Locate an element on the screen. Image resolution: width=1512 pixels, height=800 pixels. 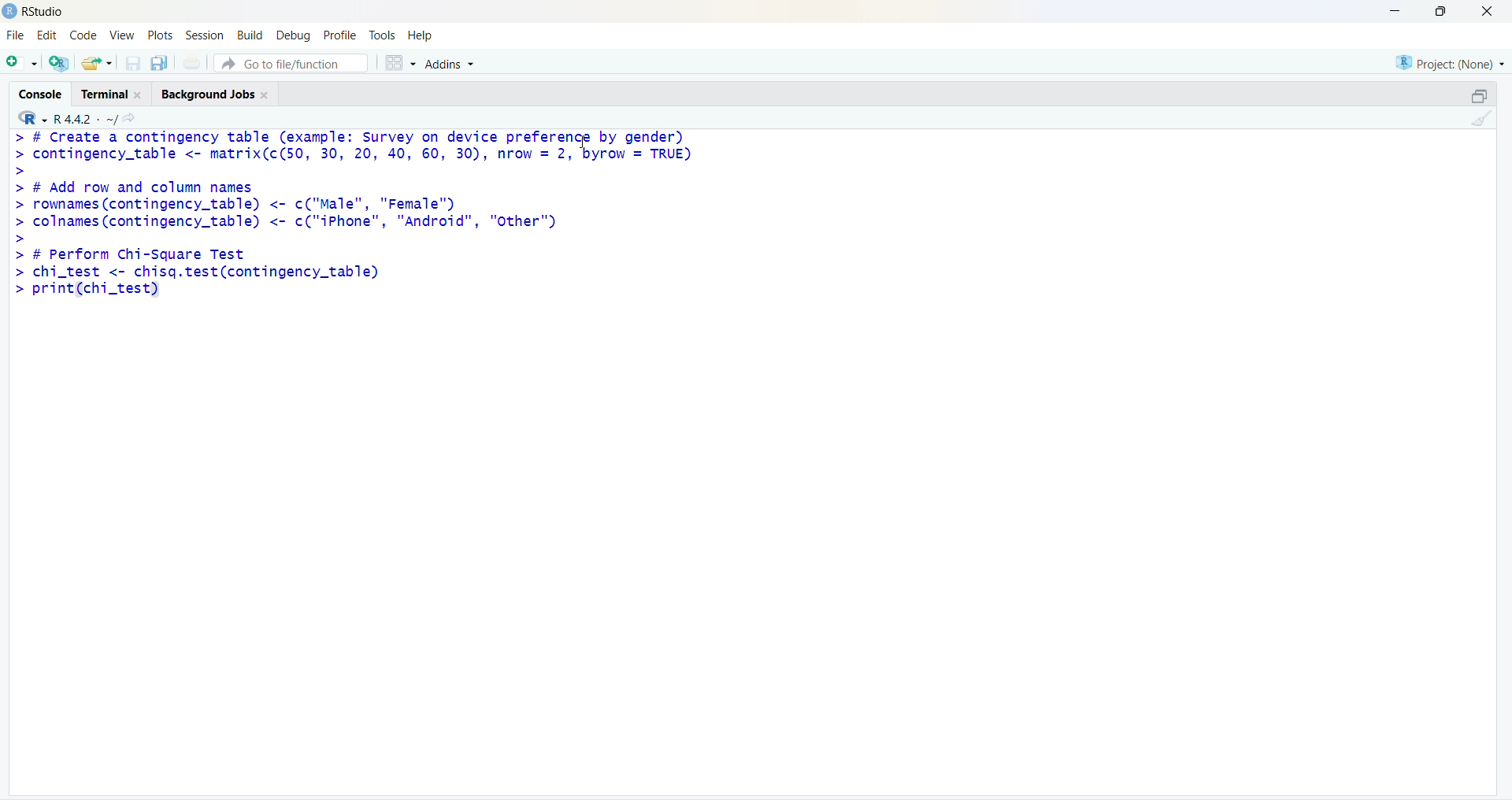
File is located at coordinates (17, 35).